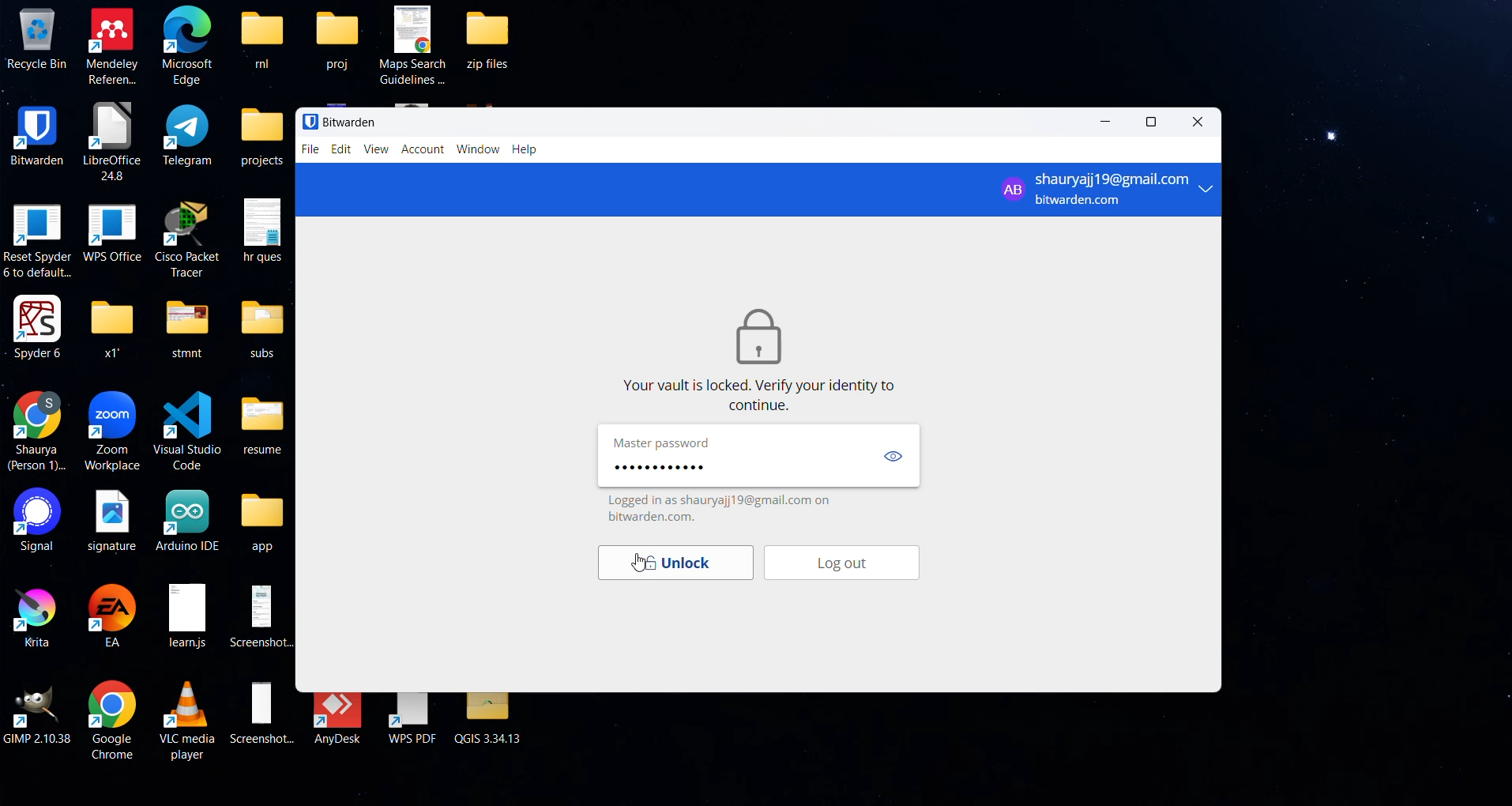 The height and width of the screenshot is (806, 1512). What do you see at coordinates (114, 616) in the screenshot?
I see `EA` at bounding box center [114, 616].